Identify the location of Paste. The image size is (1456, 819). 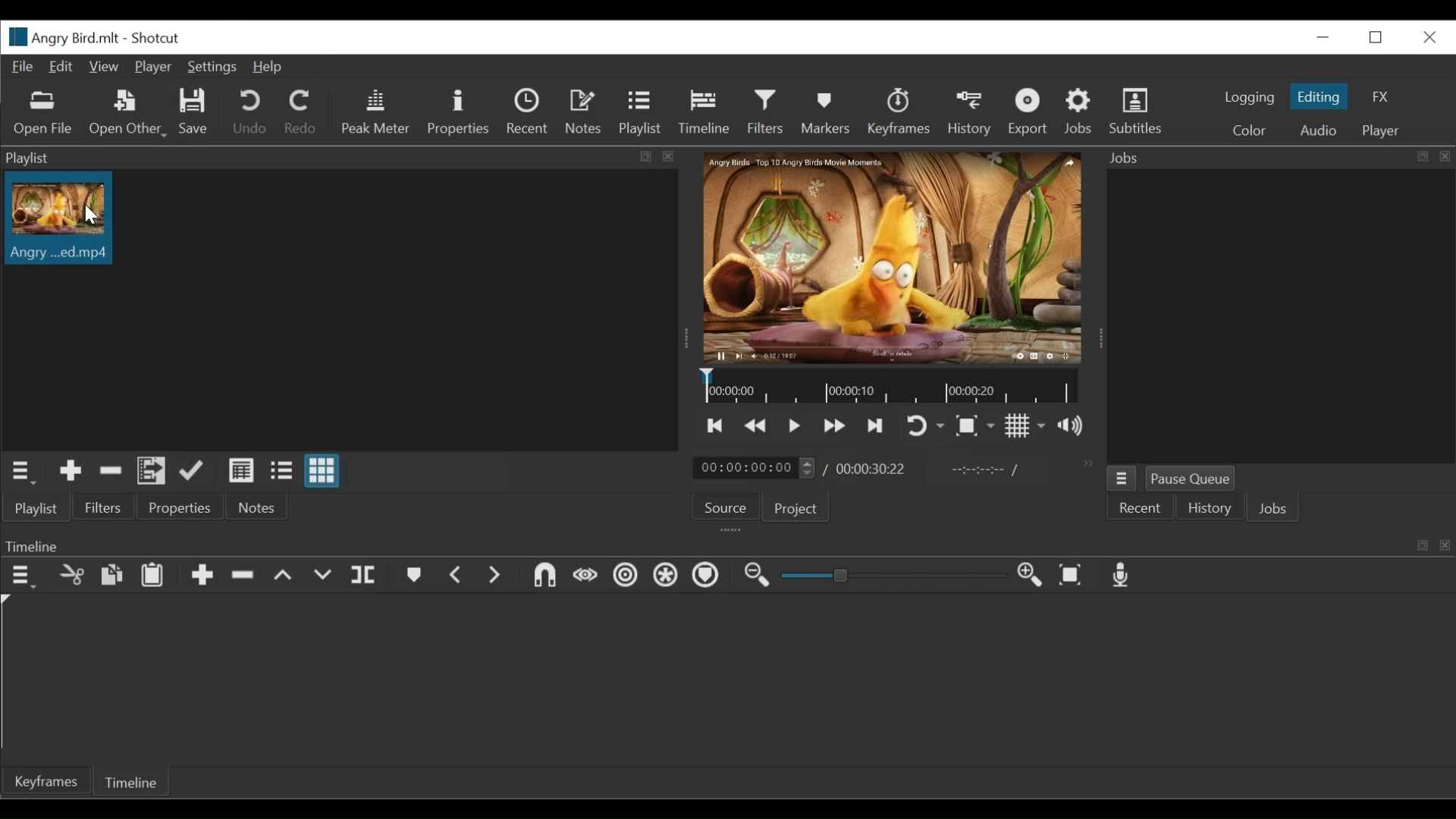
(152, 575).